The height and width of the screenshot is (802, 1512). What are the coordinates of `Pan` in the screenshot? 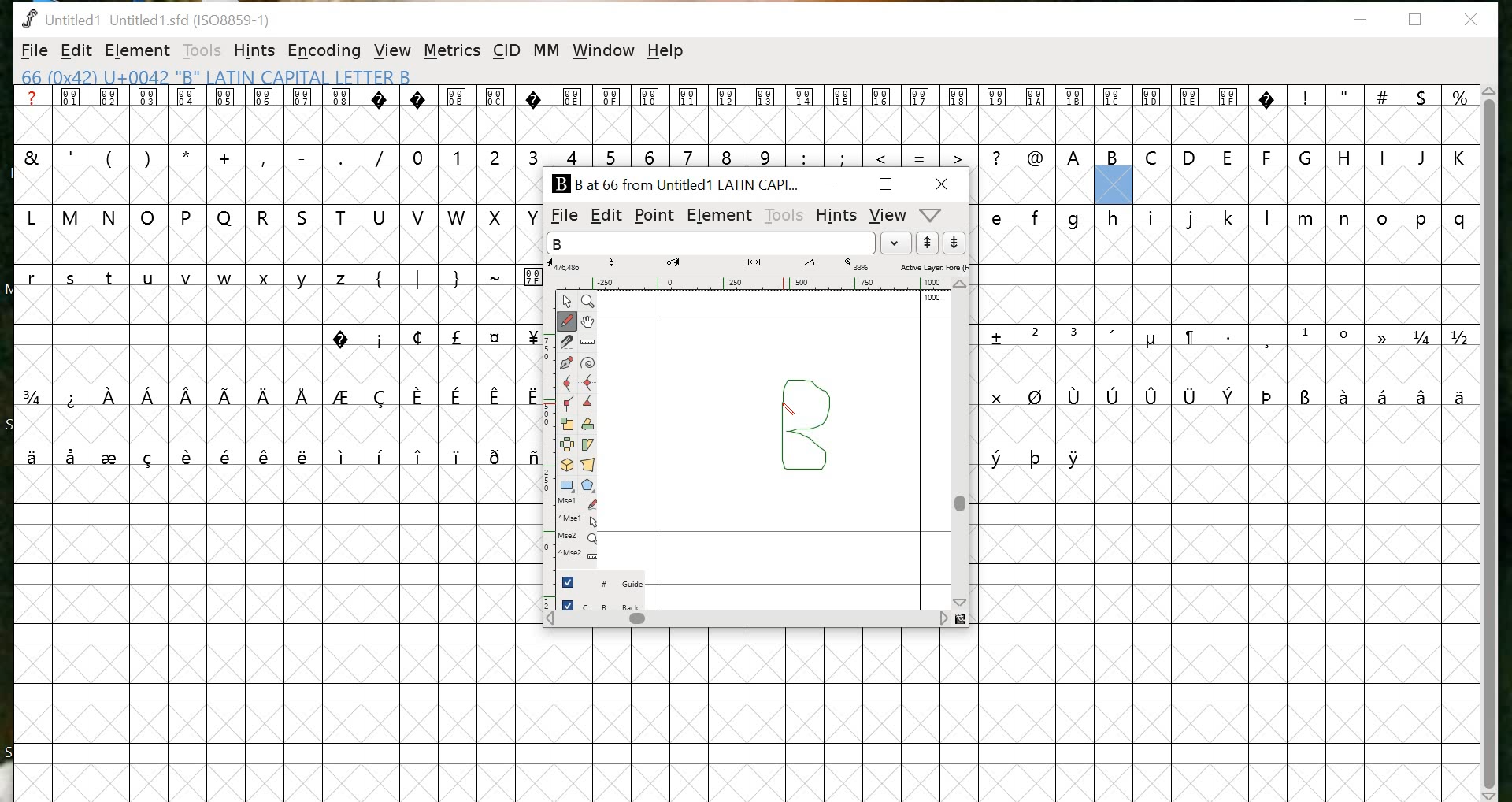 It's located at (588, 323).